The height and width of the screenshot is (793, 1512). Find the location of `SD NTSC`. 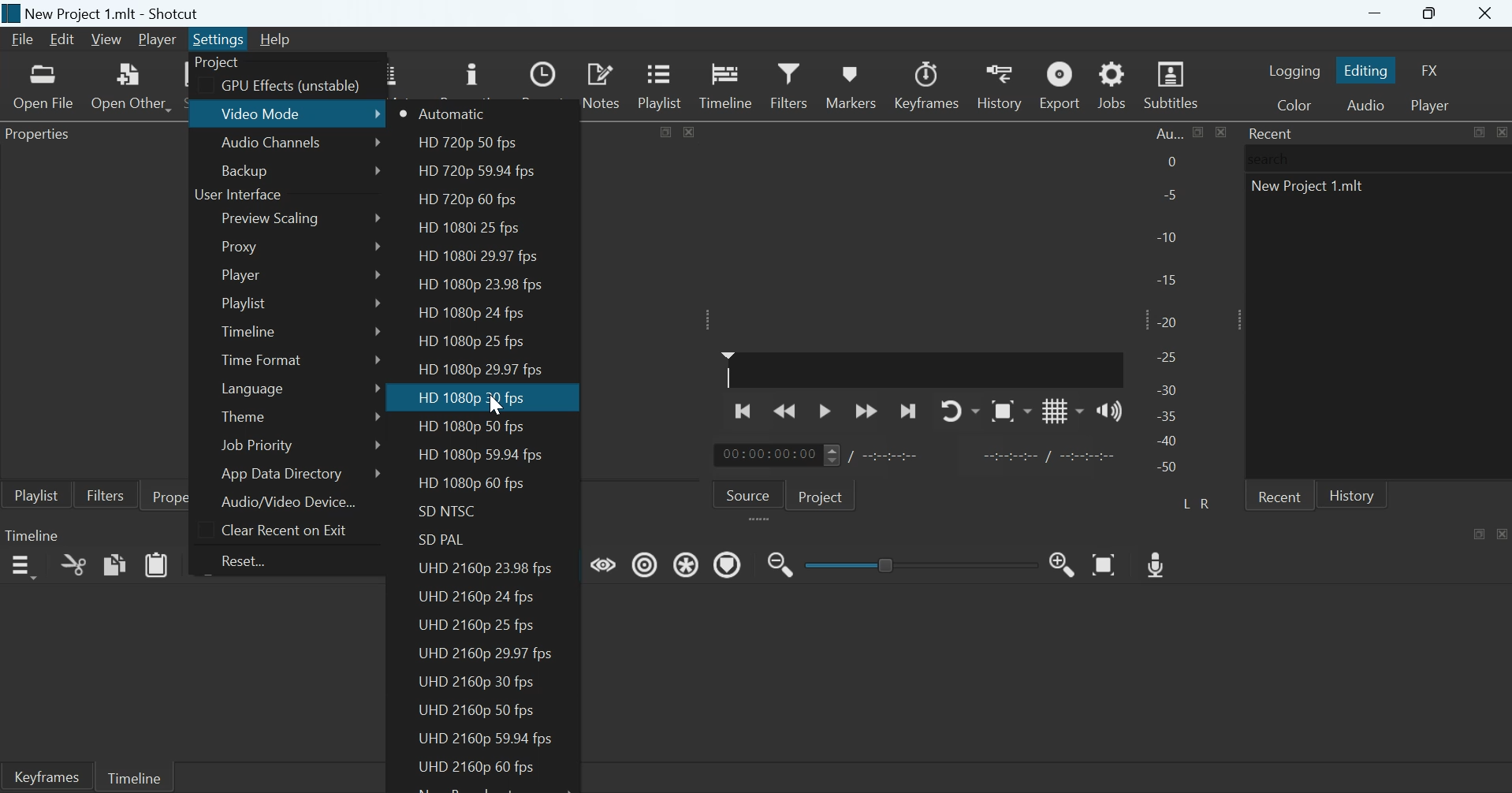

SD NTSC is located at coordinates (449, 512).